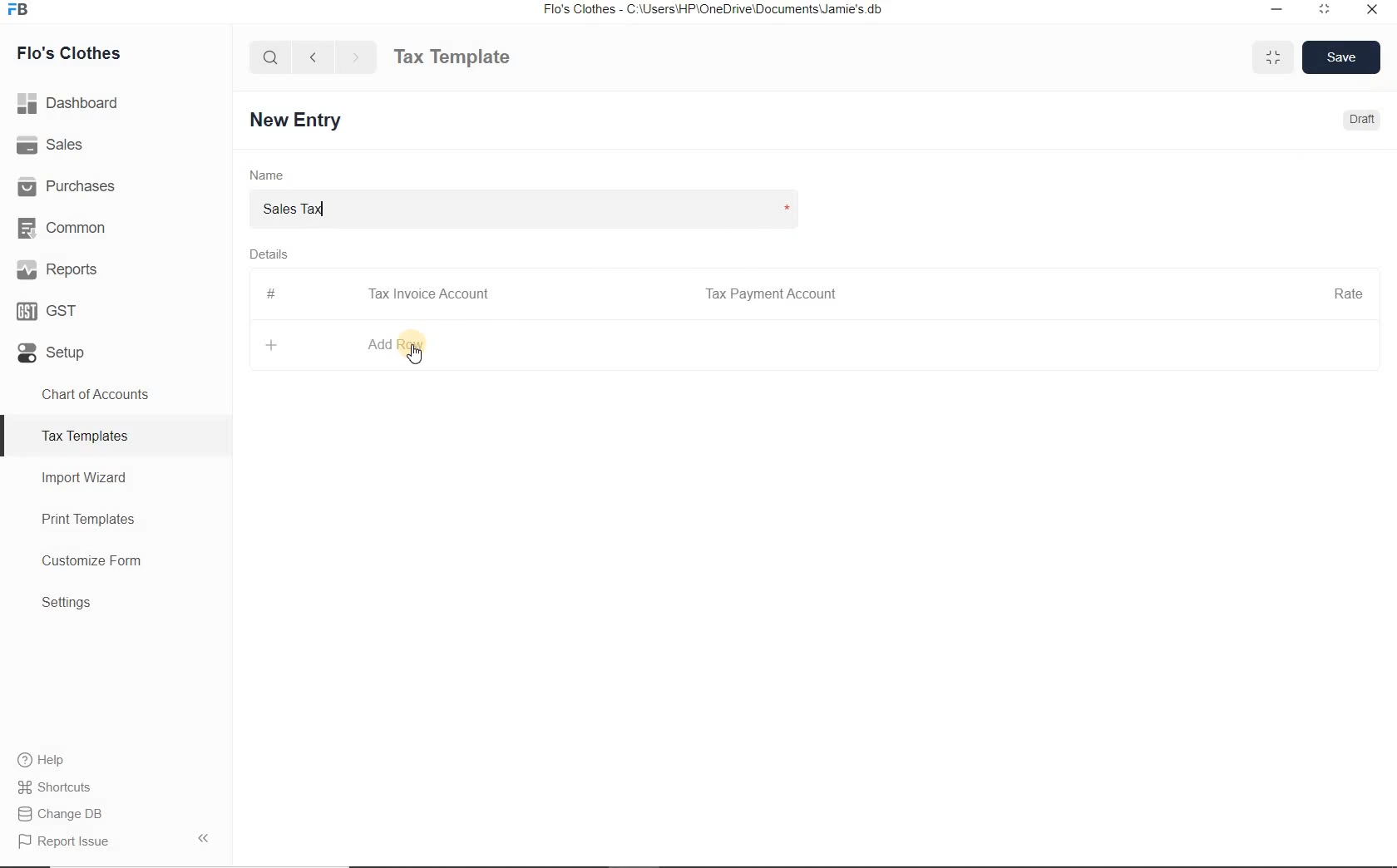 The width and height of the screenshot is (1397, 868). What do you see at coordinates (273, 344) in the screenshot?
I see `Add` at bounding box center [273, 344].